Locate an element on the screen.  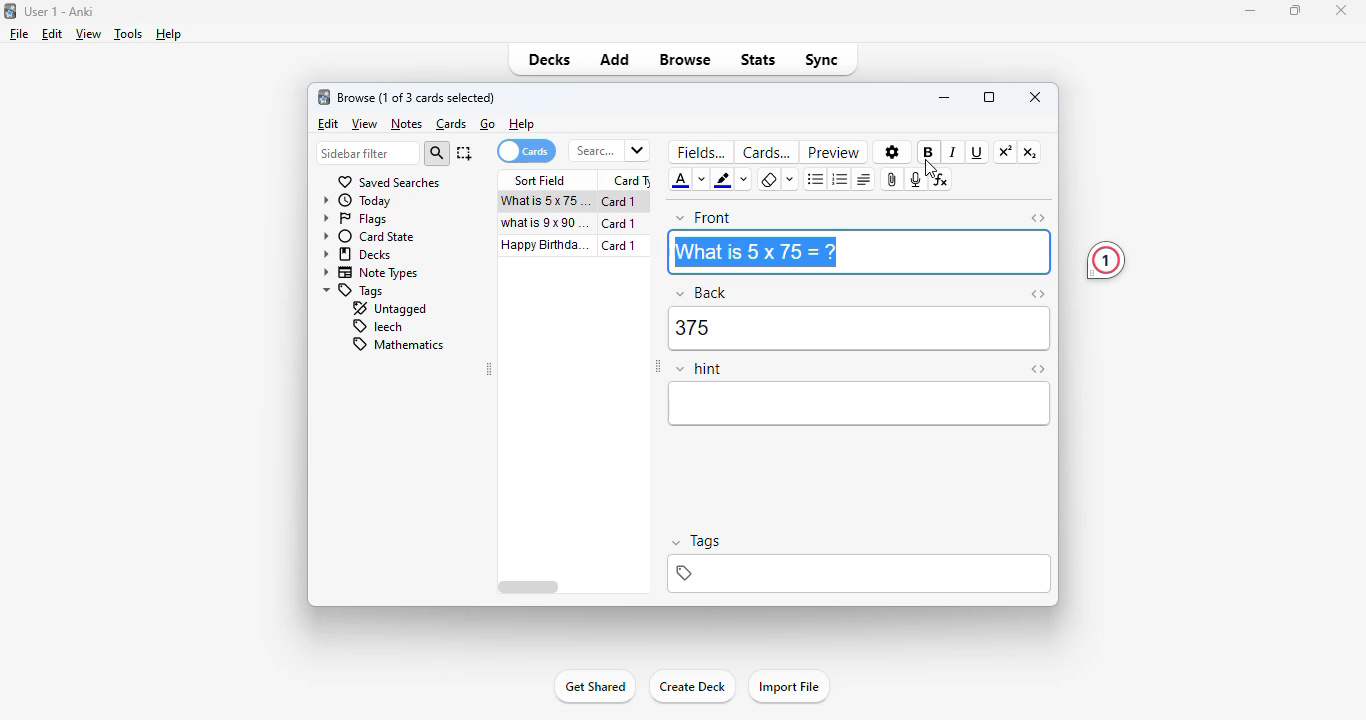
minimize is located at coordinates (1250, 11).